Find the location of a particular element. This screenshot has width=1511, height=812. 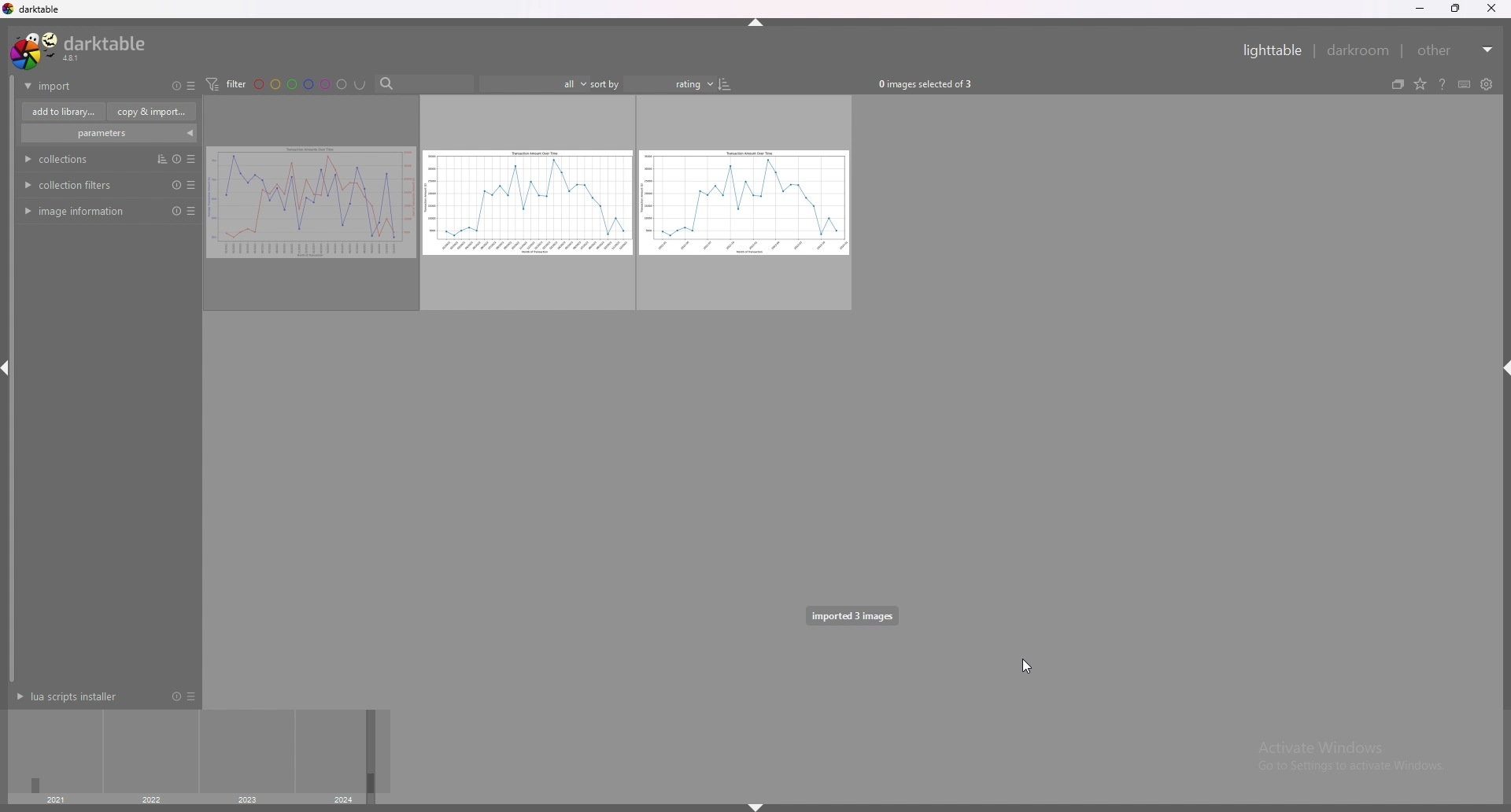

image is located at coordinates (309, 204).